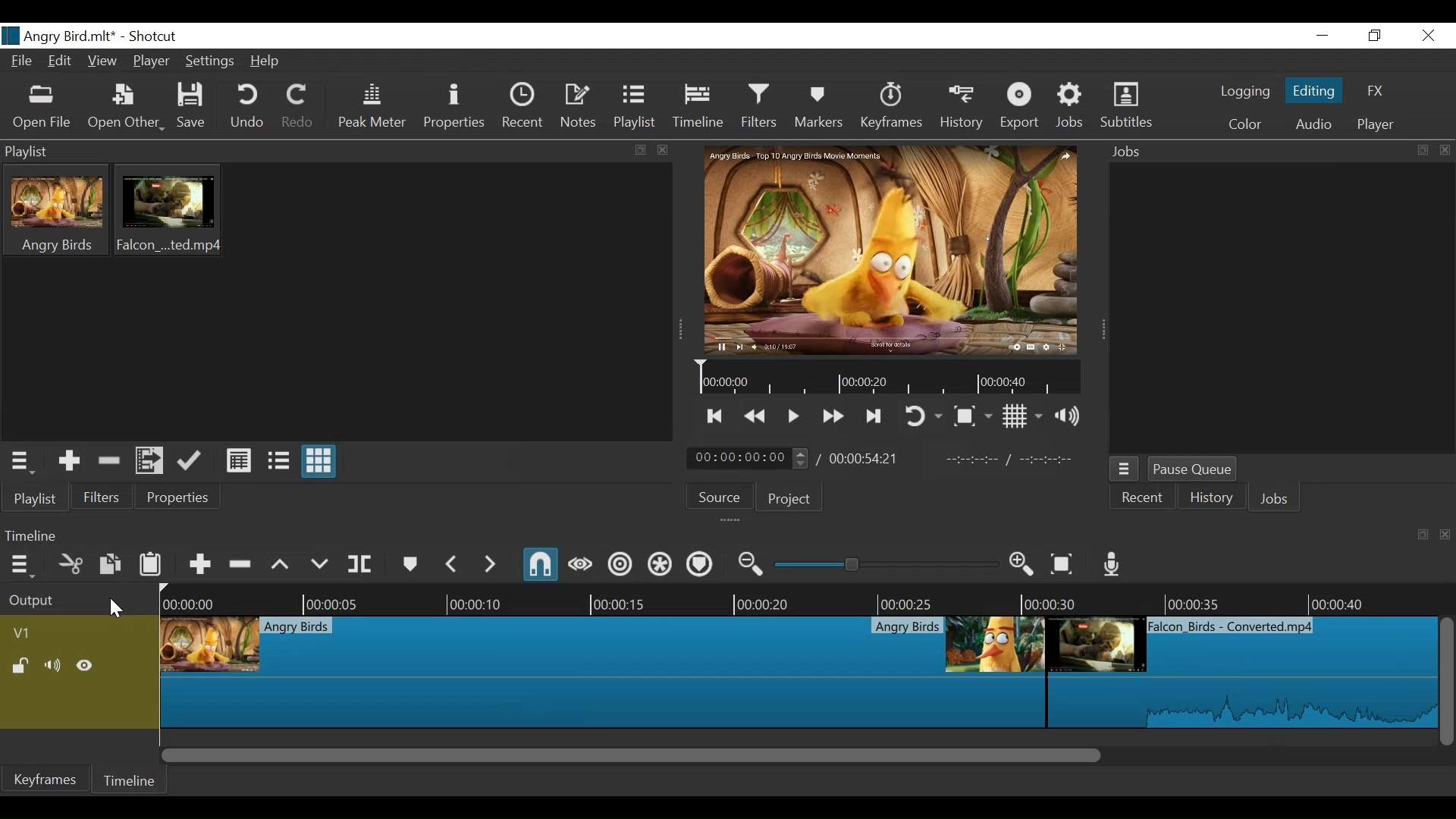 This screenshot has width=1456, height=819. Describe the element at coordinates (84, 665) in the screenshot. I see `Hide` at that location.